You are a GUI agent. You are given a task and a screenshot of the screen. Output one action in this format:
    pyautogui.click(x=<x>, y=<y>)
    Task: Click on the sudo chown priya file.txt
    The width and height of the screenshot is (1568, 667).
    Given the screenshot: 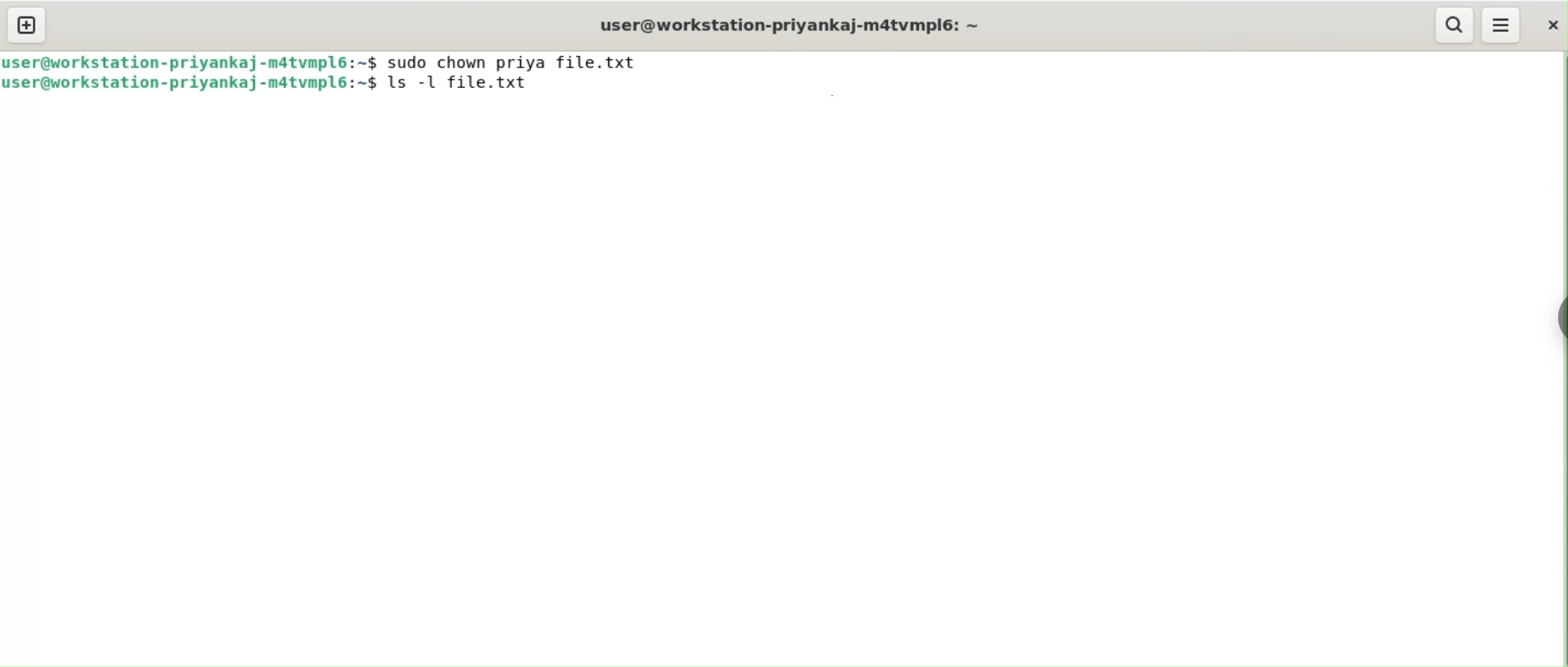 What is the action you would take?
    pyautogui.click(x=519, y=61)
    